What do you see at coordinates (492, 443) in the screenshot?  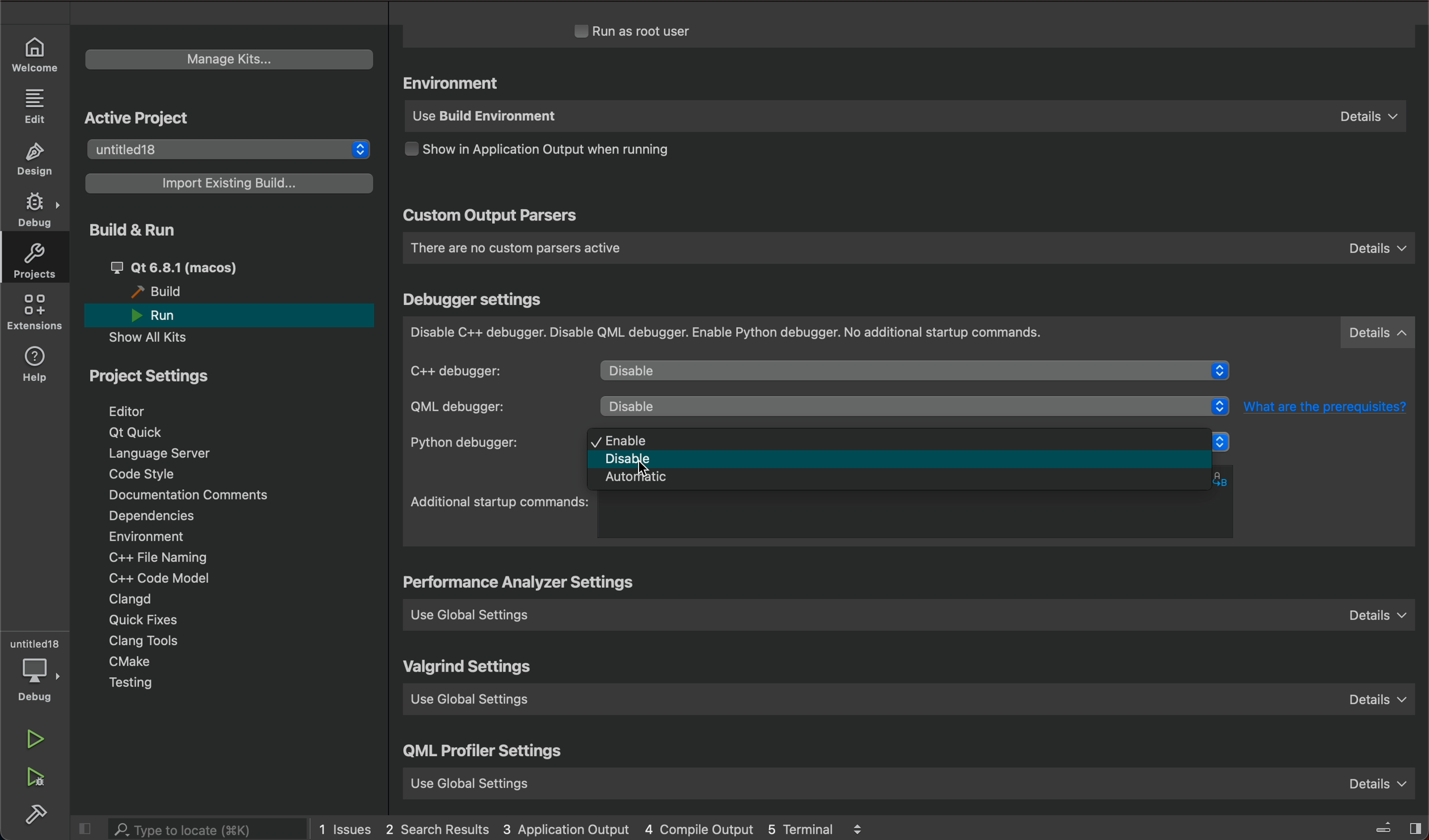 I see `python debugger` at bounding box center [492, 443].